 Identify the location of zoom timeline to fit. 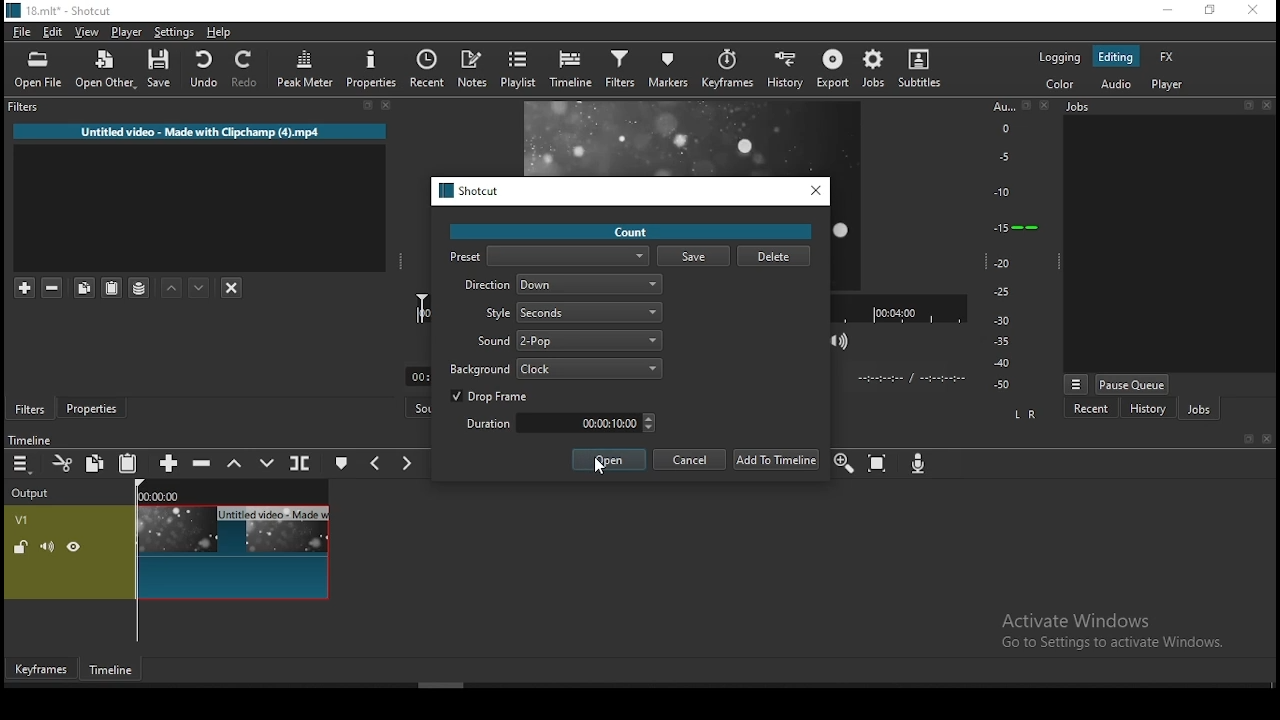
(877, 463).